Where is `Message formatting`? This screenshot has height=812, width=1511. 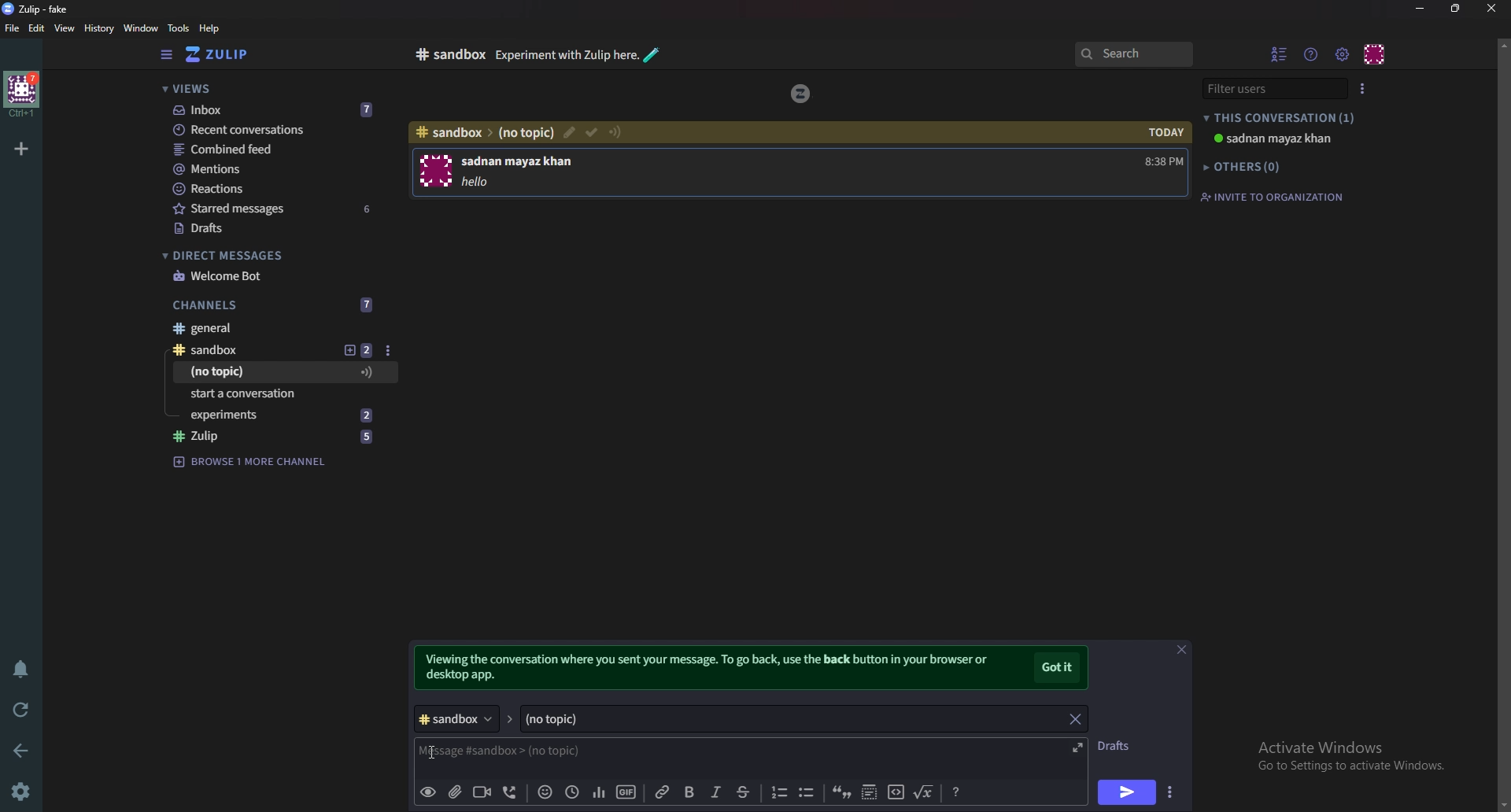 Message formatting is located at coordinates (954, 791).